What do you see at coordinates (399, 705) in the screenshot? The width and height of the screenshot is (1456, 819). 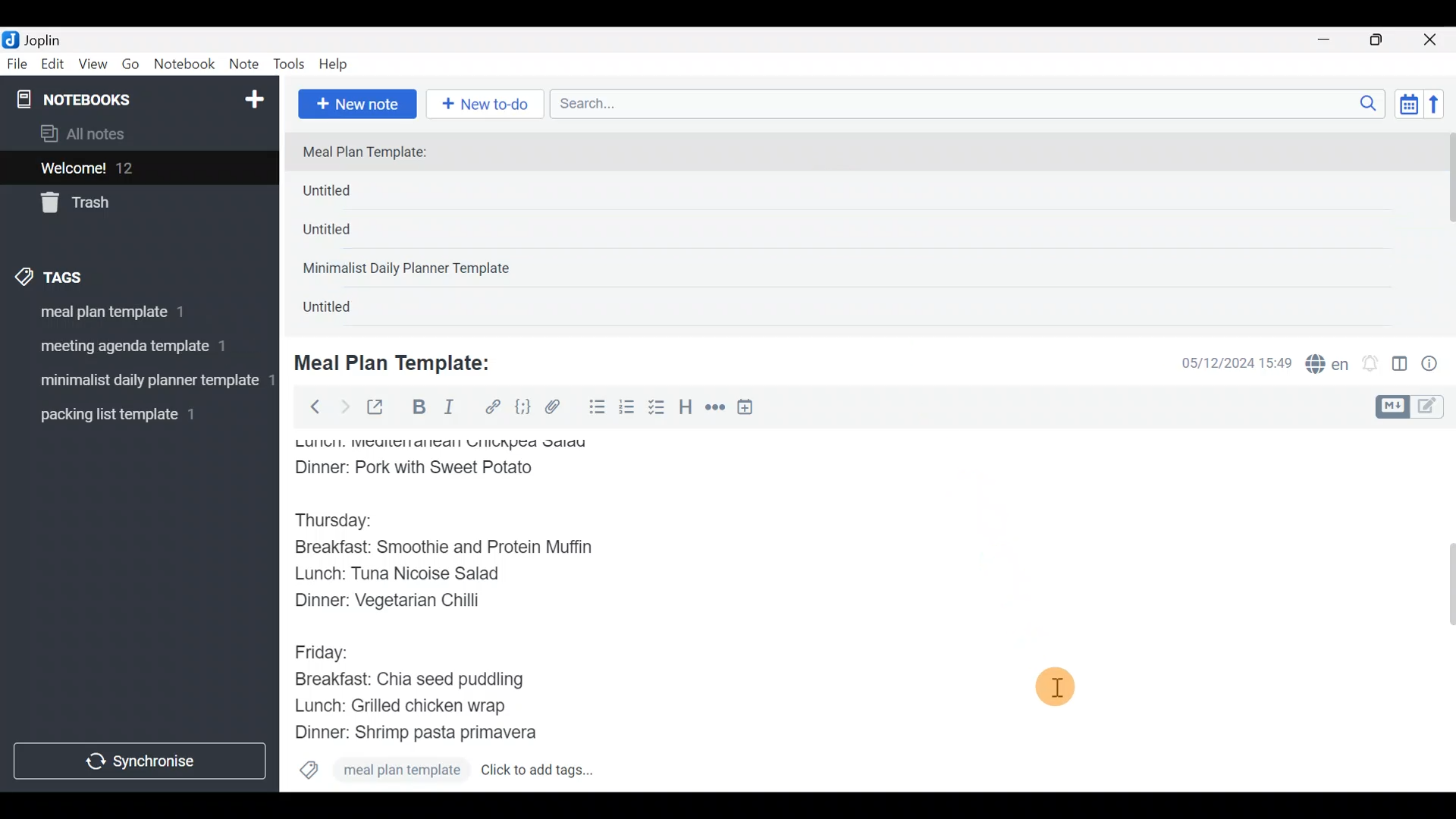 I see `Lunch: Grilled chicken wrap` at bounding box center [399, 705].